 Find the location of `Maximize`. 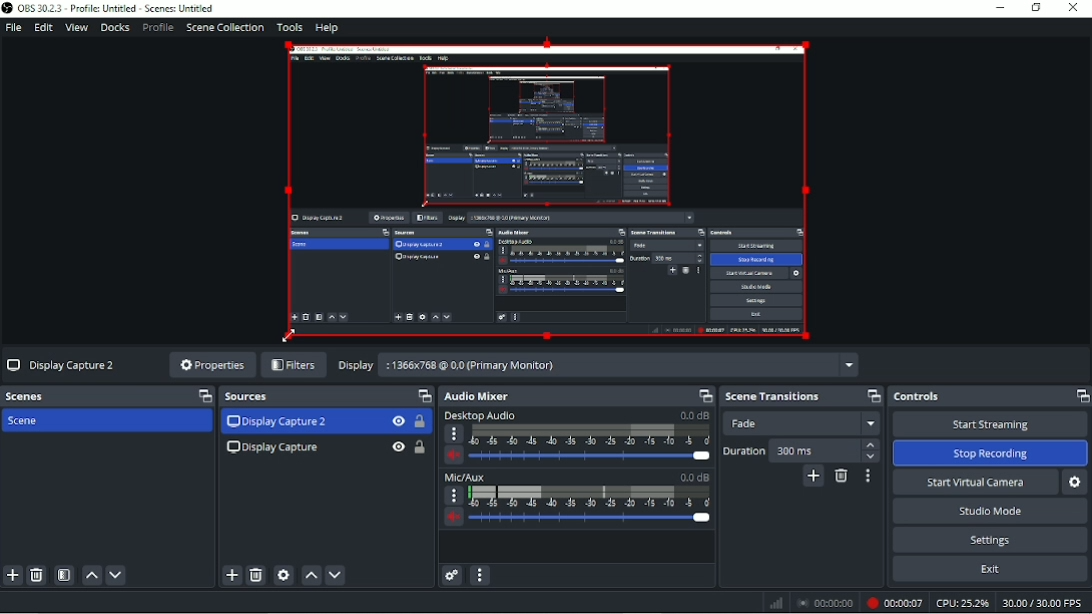

Maximize is located at coordinates (200, 396).